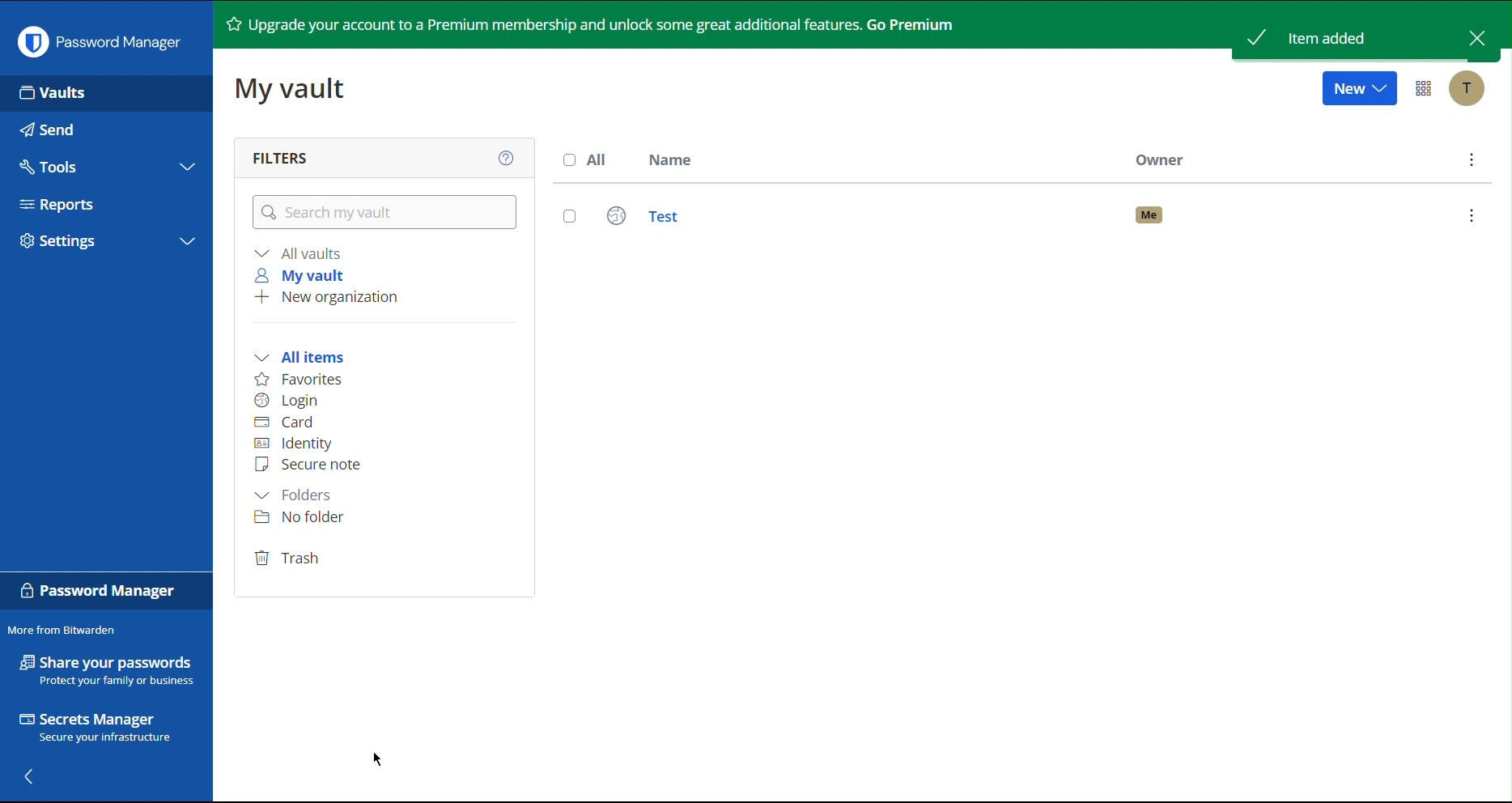 The width and height of the screenshot is (1512, 803). I want to click on Account, so click(1467, 90).